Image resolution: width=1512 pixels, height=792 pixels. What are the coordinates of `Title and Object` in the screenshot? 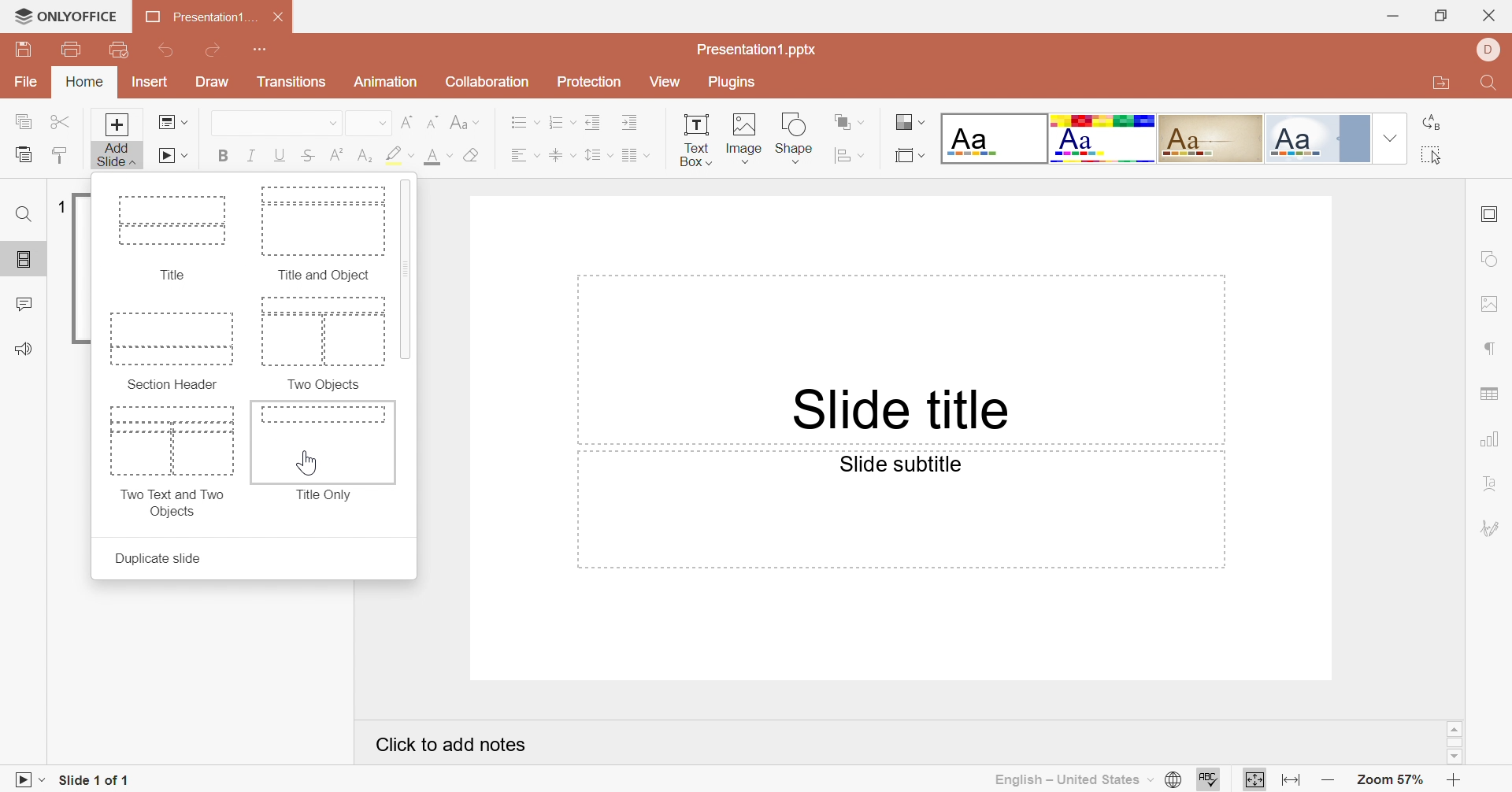 It's located at (324, 230).